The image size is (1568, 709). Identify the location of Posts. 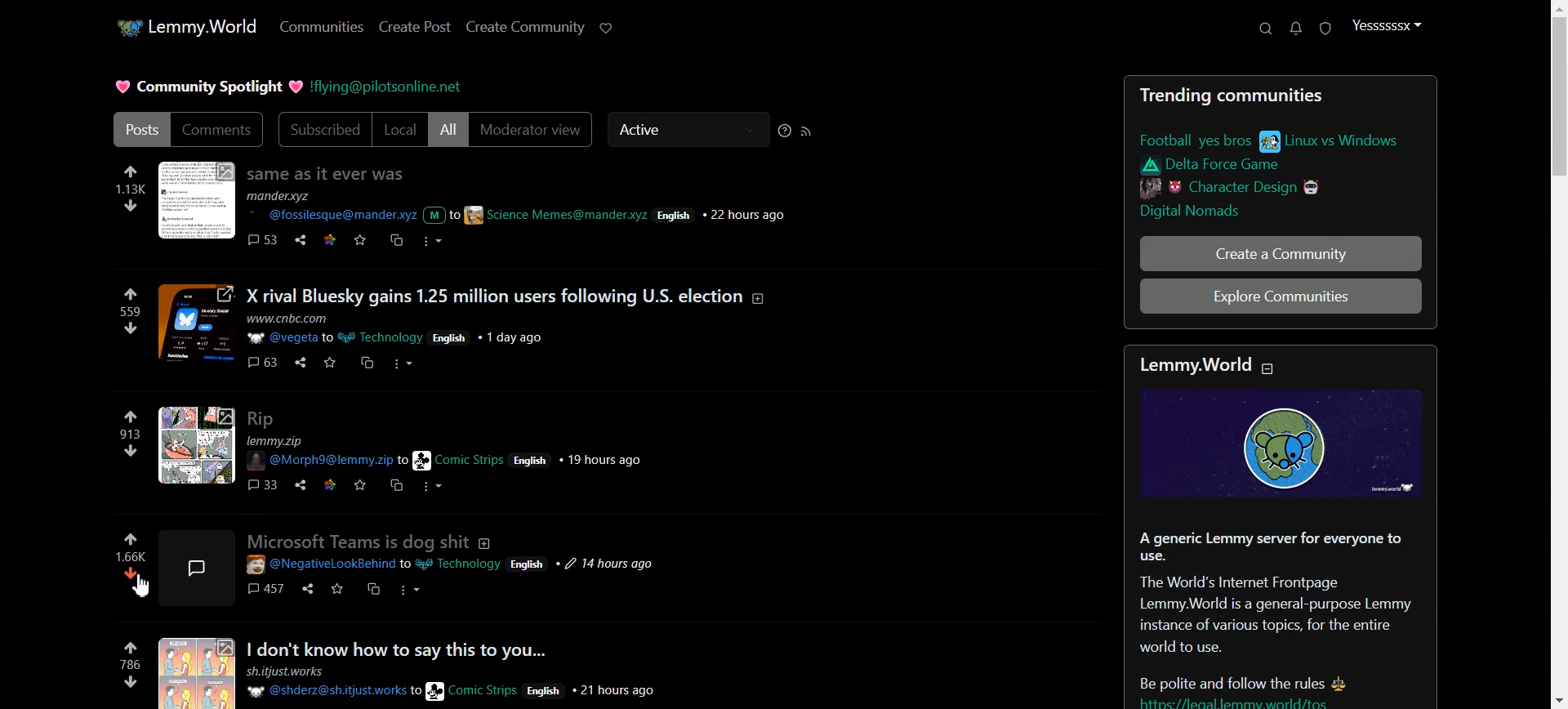
(140, 129).